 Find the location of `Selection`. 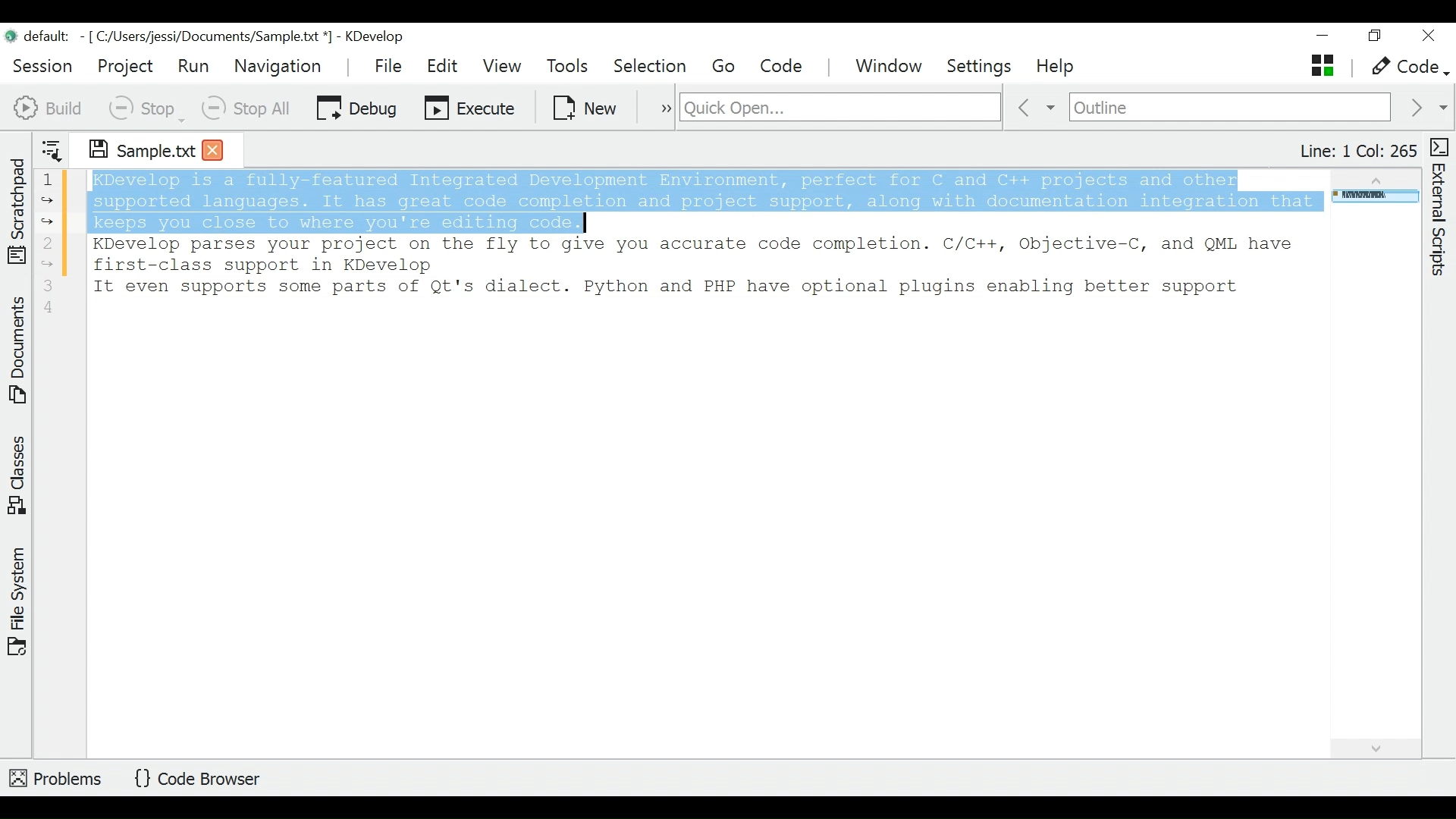

Selection is located at coordinates (651, 67).